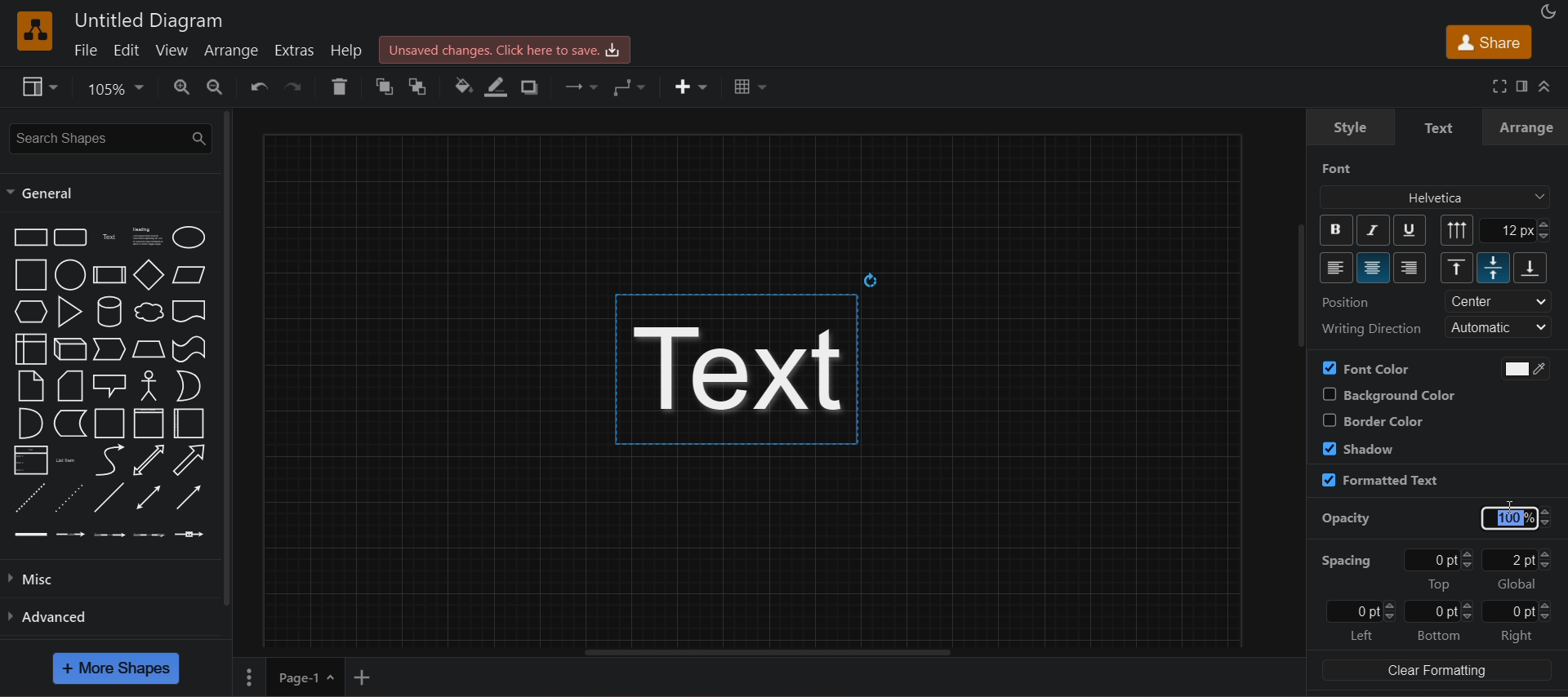 The width and height of the screenshot is (1568, 697). Describe the element at coordinates (1410, 229) in the screenshot. I see `underline` at that location.